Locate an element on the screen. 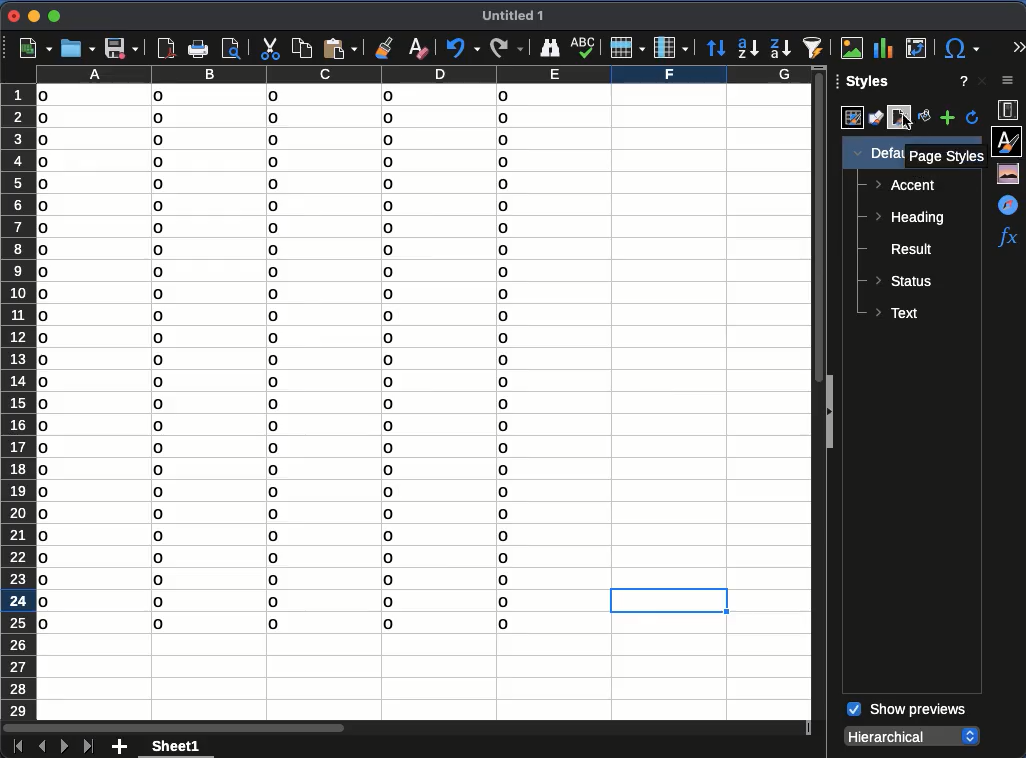 The width and height of the screenshot is (1026, 758). clear formatting is located at coordinates (420, 47).